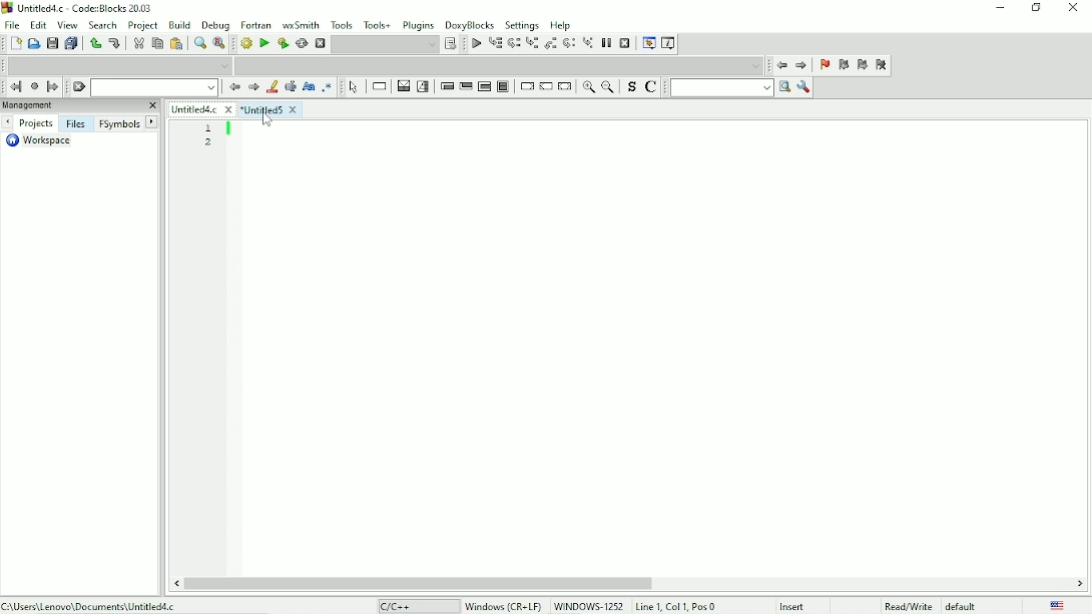 This screenshot has height=614, width=1092. I want to click on Show options window, so click(805, 87).